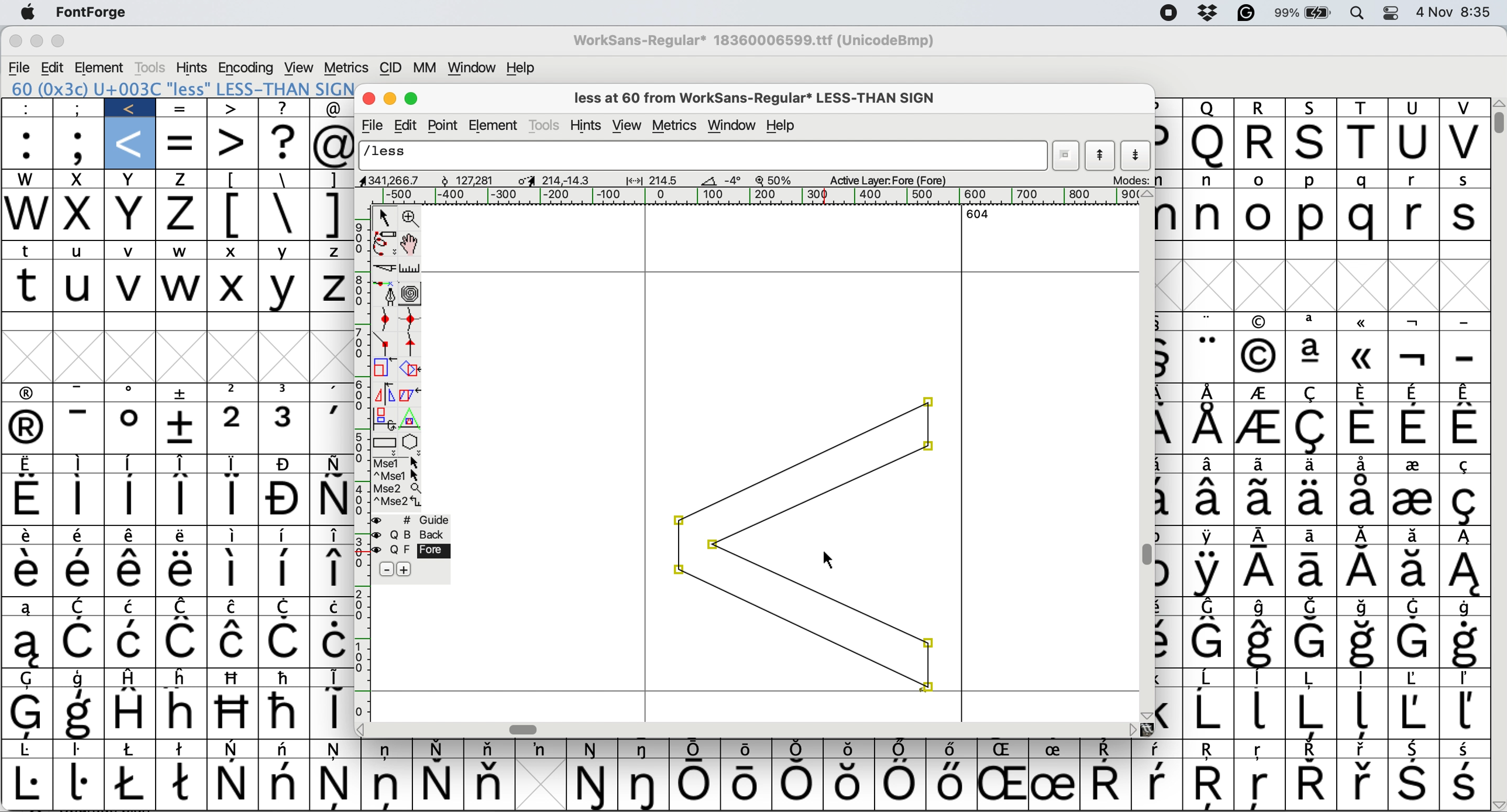 The height and width of the screenshot is (812, 1507). Describe the element at coordinates (1261, 429) in the screenshot. I see `Symbol` at that location.